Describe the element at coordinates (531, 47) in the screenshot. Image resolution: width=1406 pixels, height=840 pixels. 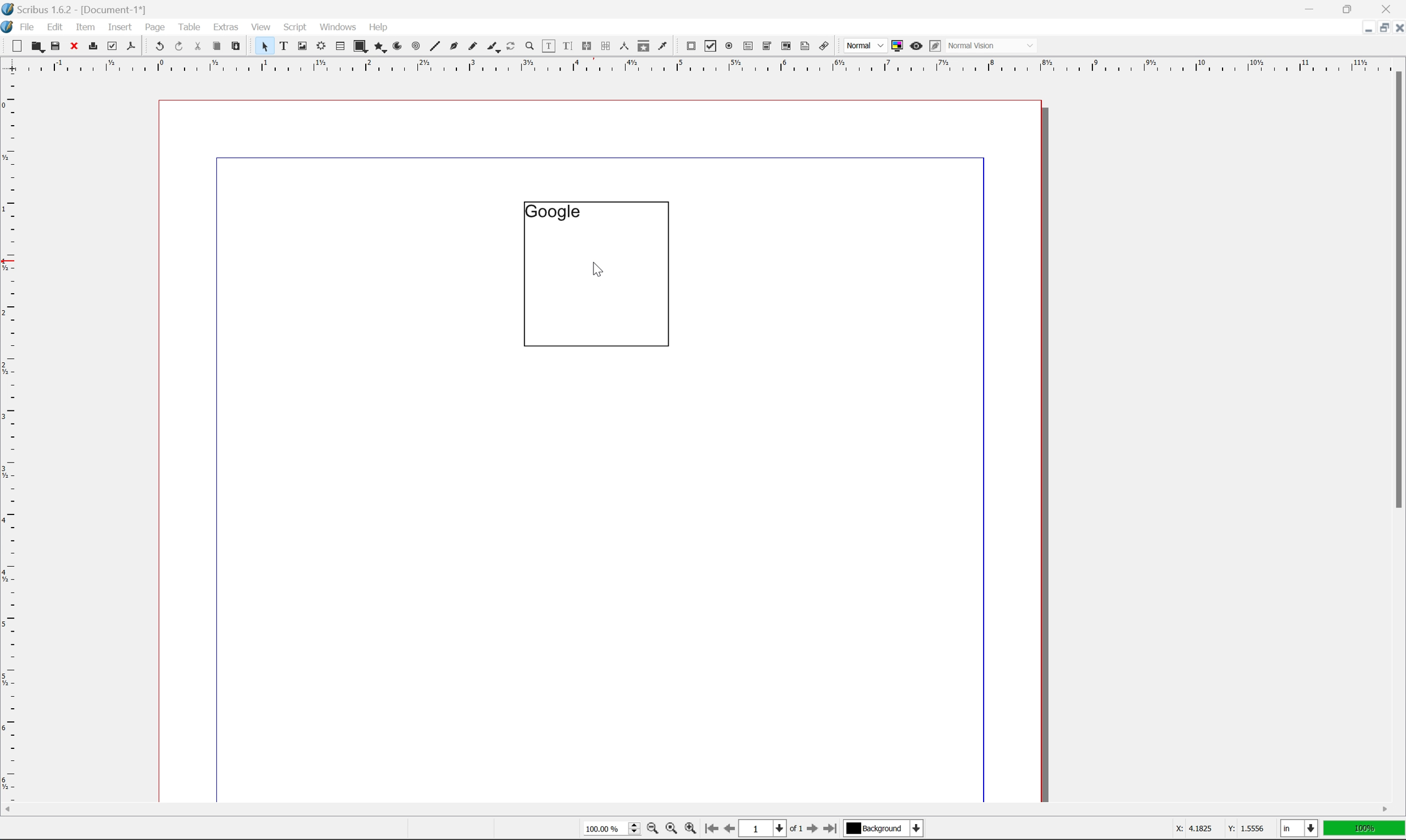
I see `zoom in or zoom out` at that location.